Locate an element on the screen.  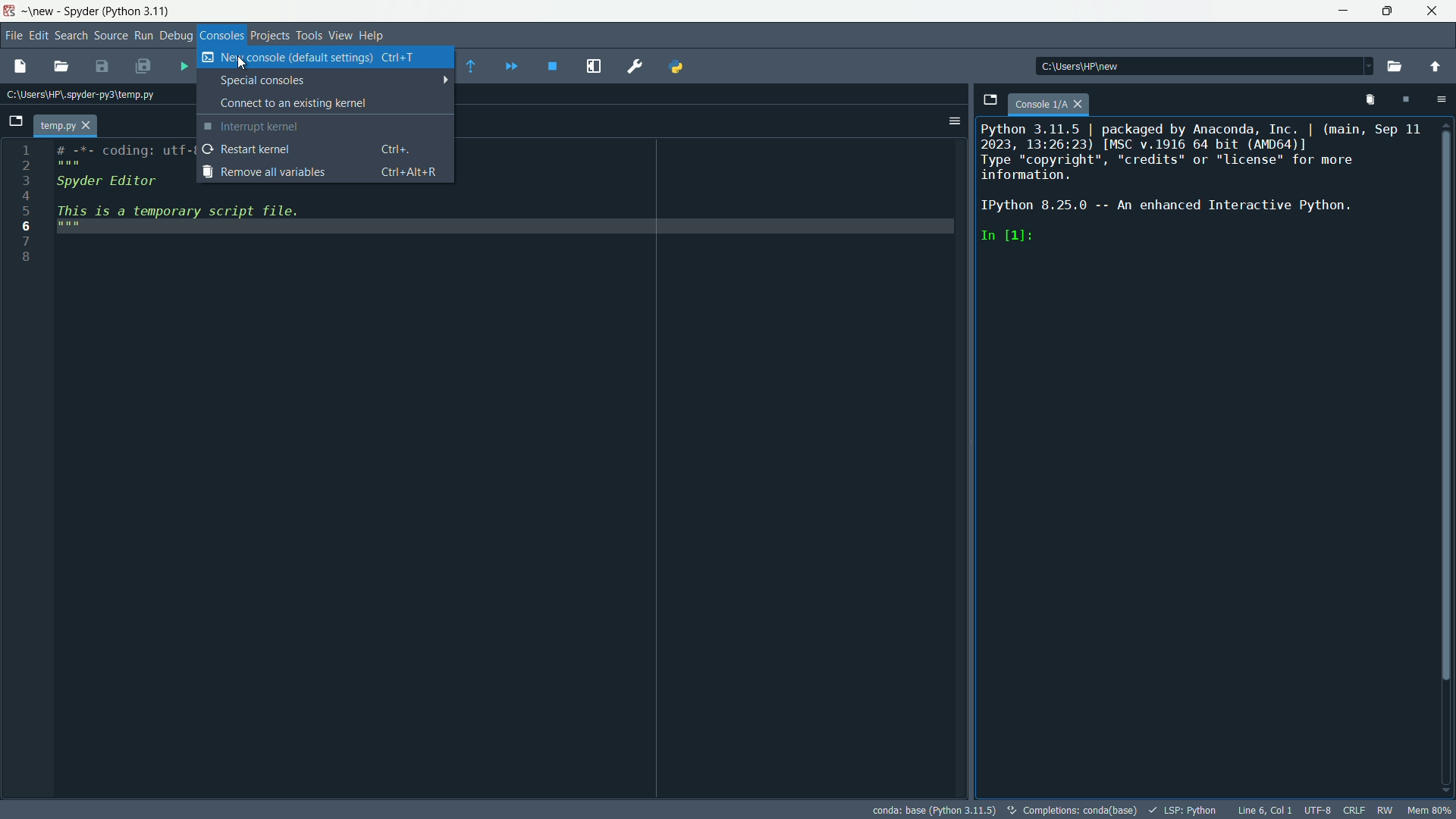
source menu is located at coordinates (110, 35).